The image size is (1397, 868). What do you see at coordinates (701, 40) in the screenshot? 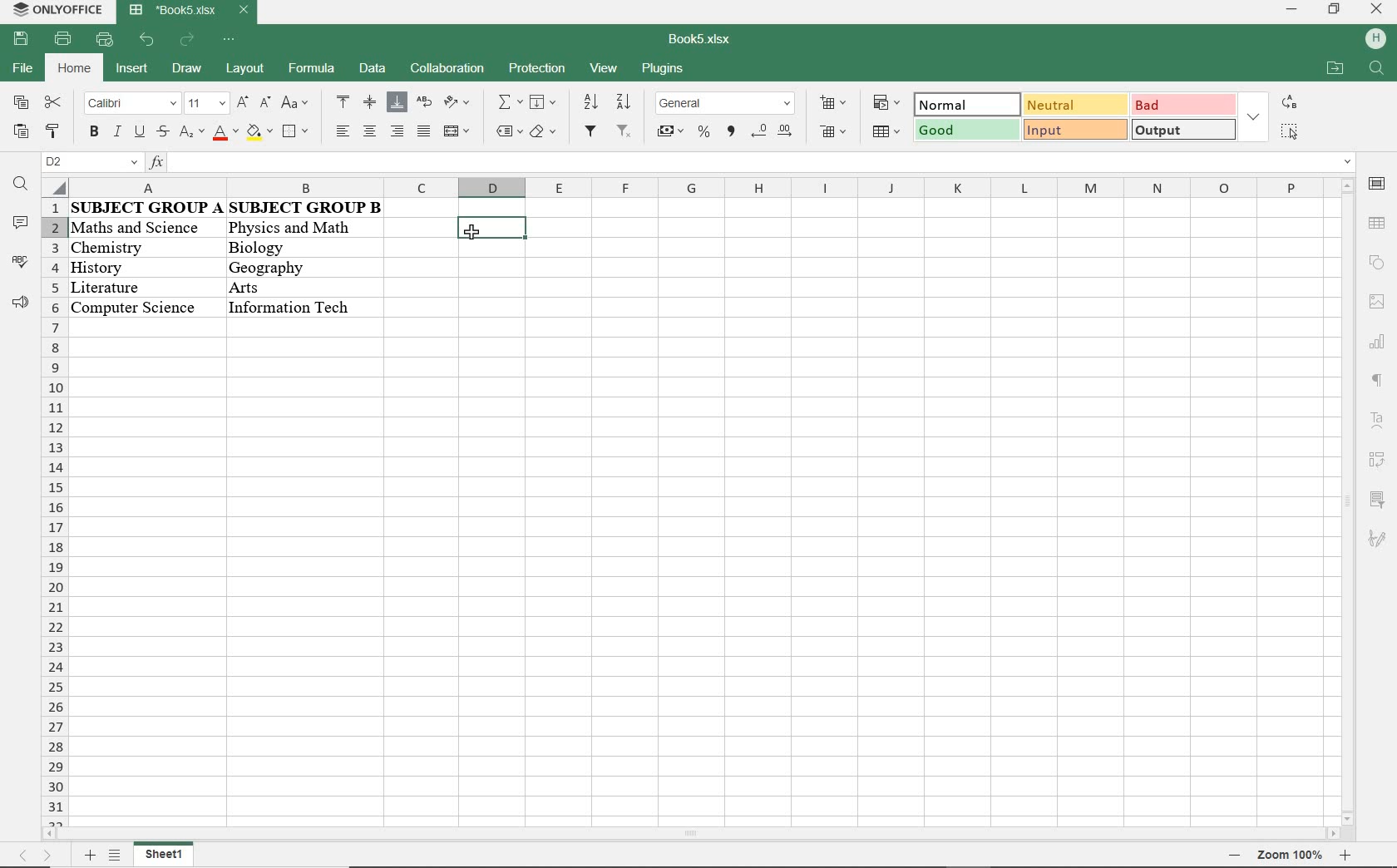
I see `document name` at bounding box center [701, 40].